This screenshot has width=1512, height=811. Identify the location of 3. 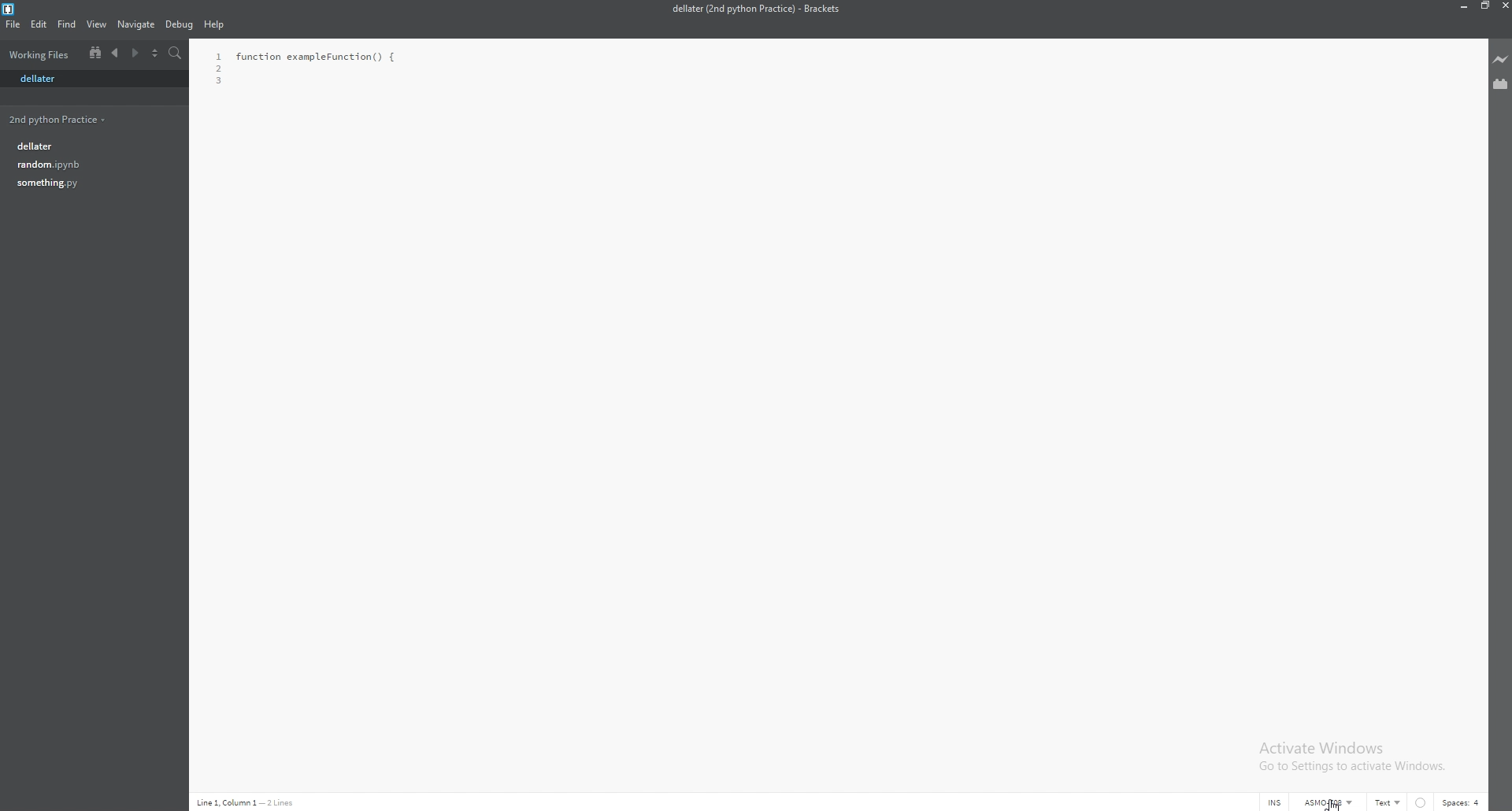
(220, 81).